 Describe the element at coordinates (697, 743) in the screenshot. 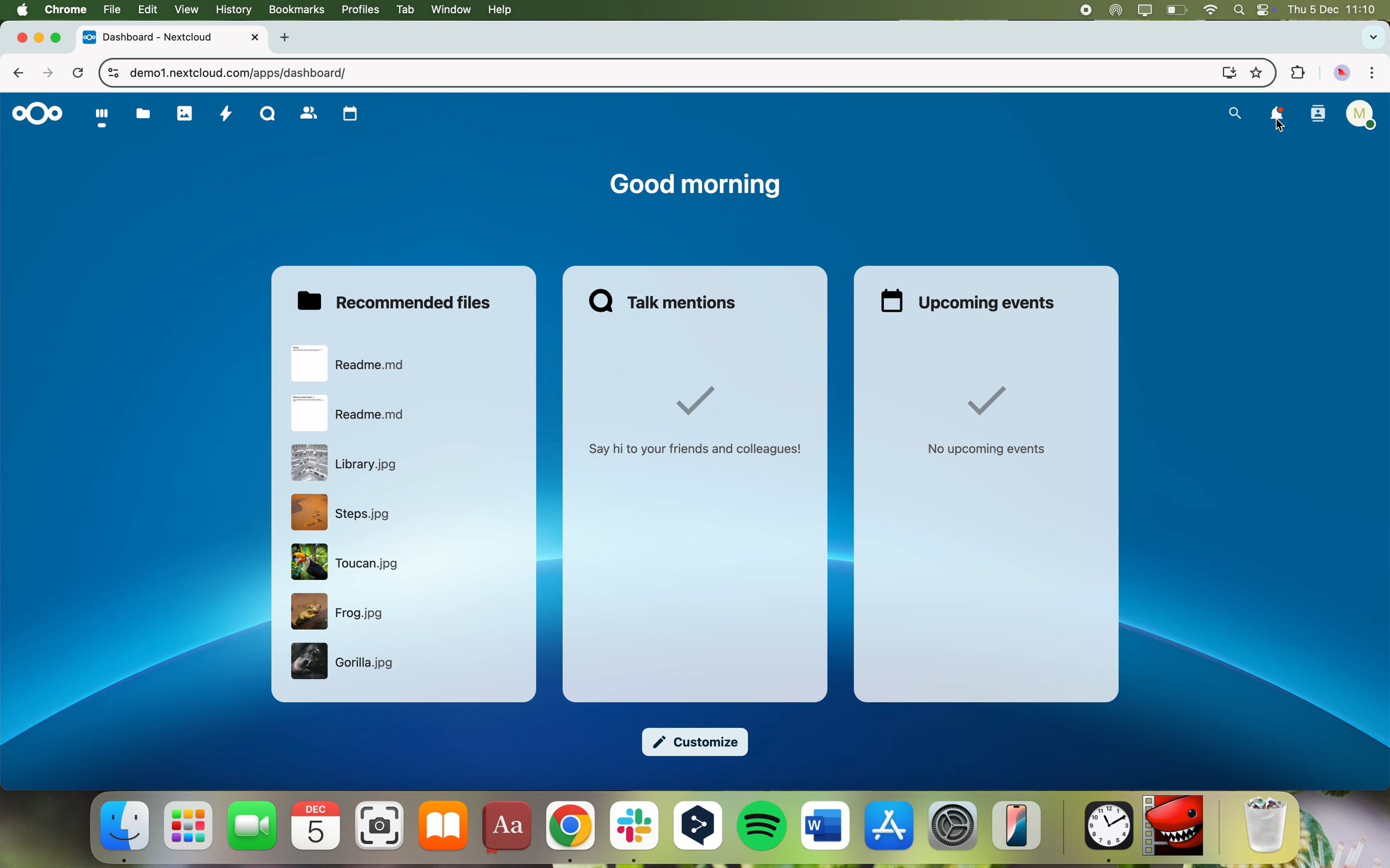

I see `customize button` at that location.